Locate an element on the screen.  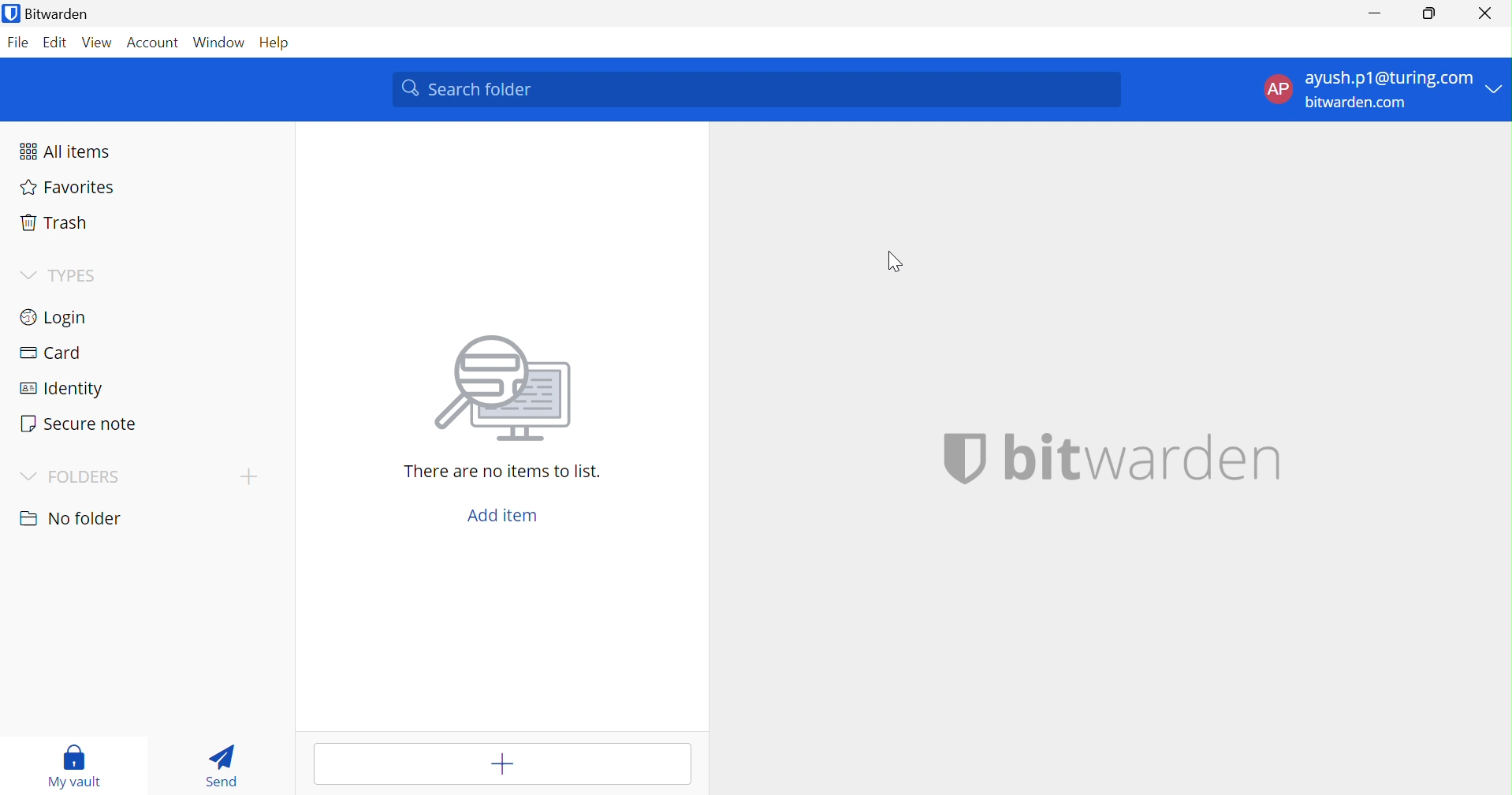
Send is located at coordinates (229, 765).